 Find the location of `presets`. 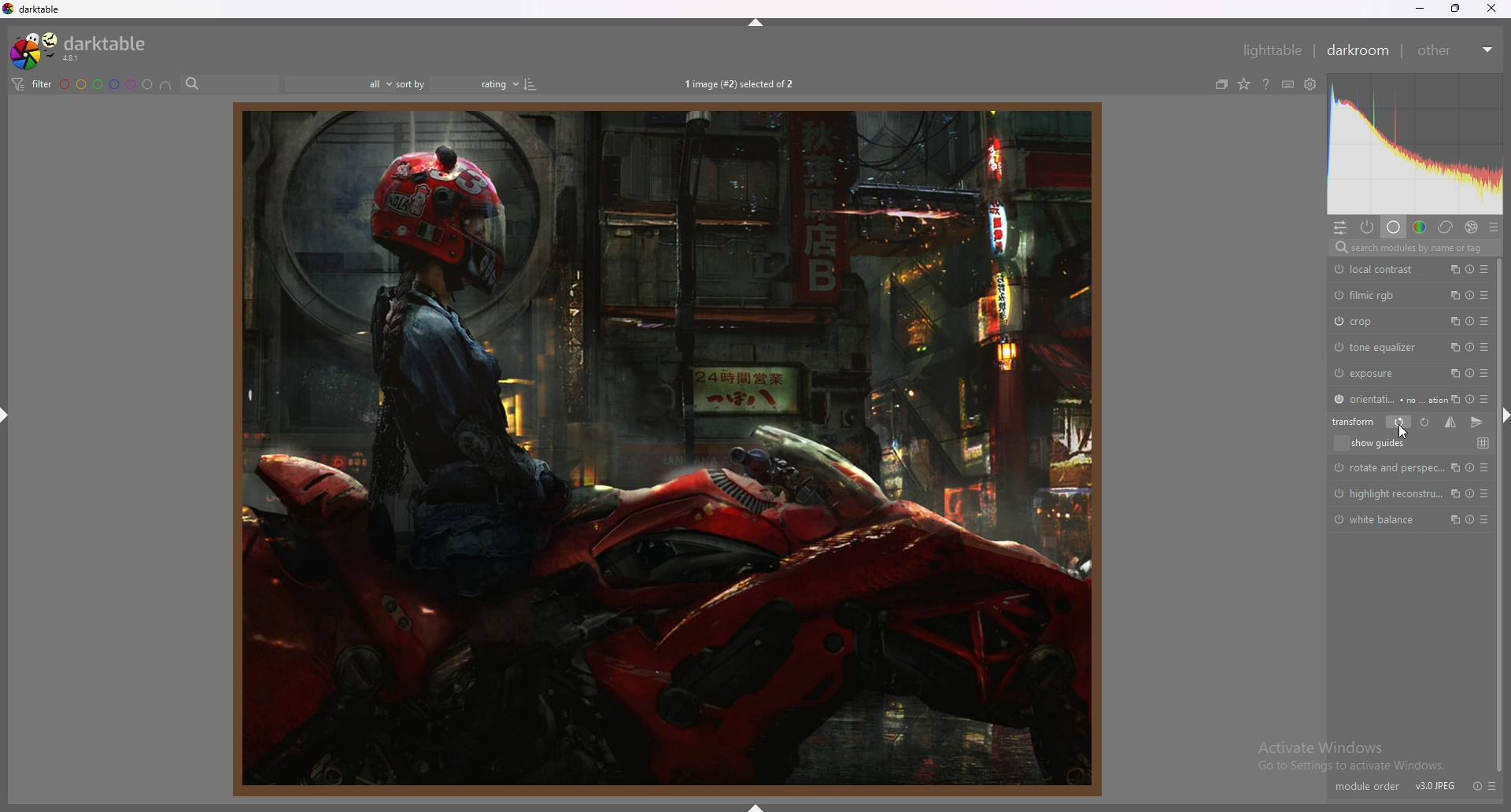

presets is located at coordinates (1483, 294).